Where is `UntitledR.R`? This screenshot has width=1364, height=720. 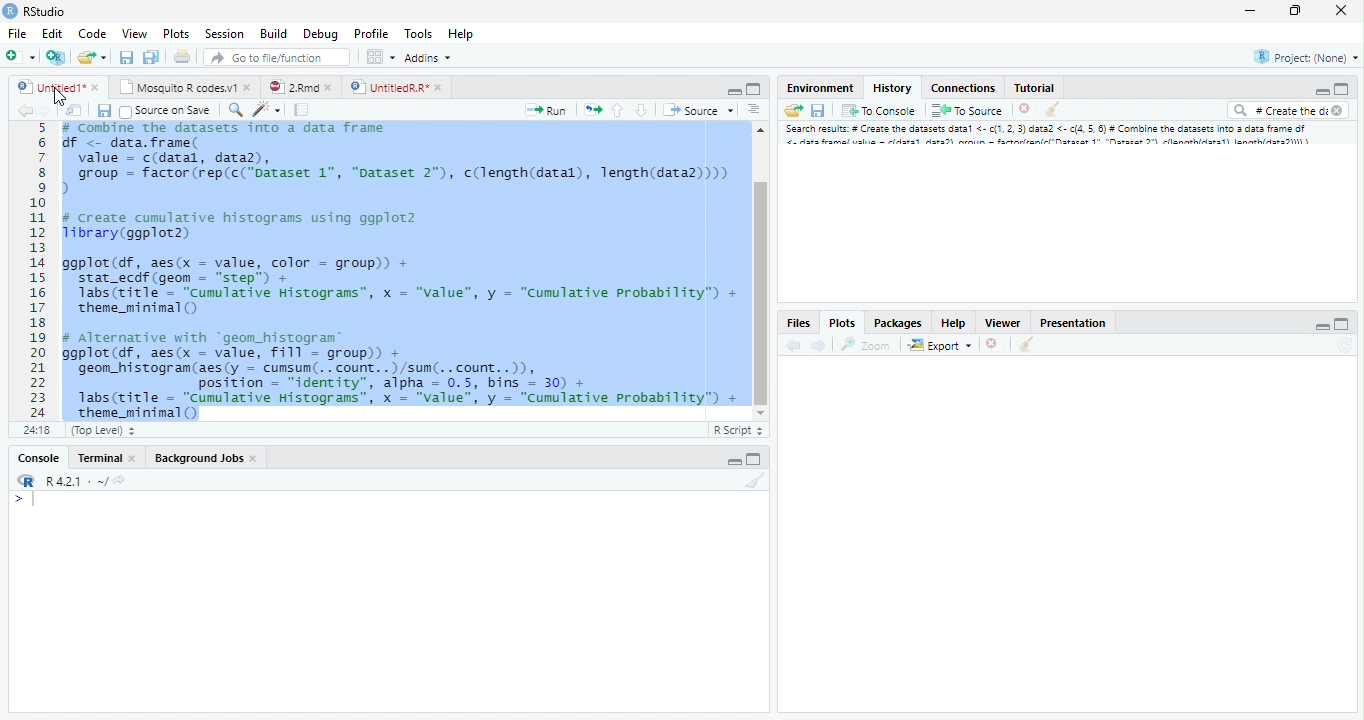 UntitledR.R is located at coordinates (396, 86).